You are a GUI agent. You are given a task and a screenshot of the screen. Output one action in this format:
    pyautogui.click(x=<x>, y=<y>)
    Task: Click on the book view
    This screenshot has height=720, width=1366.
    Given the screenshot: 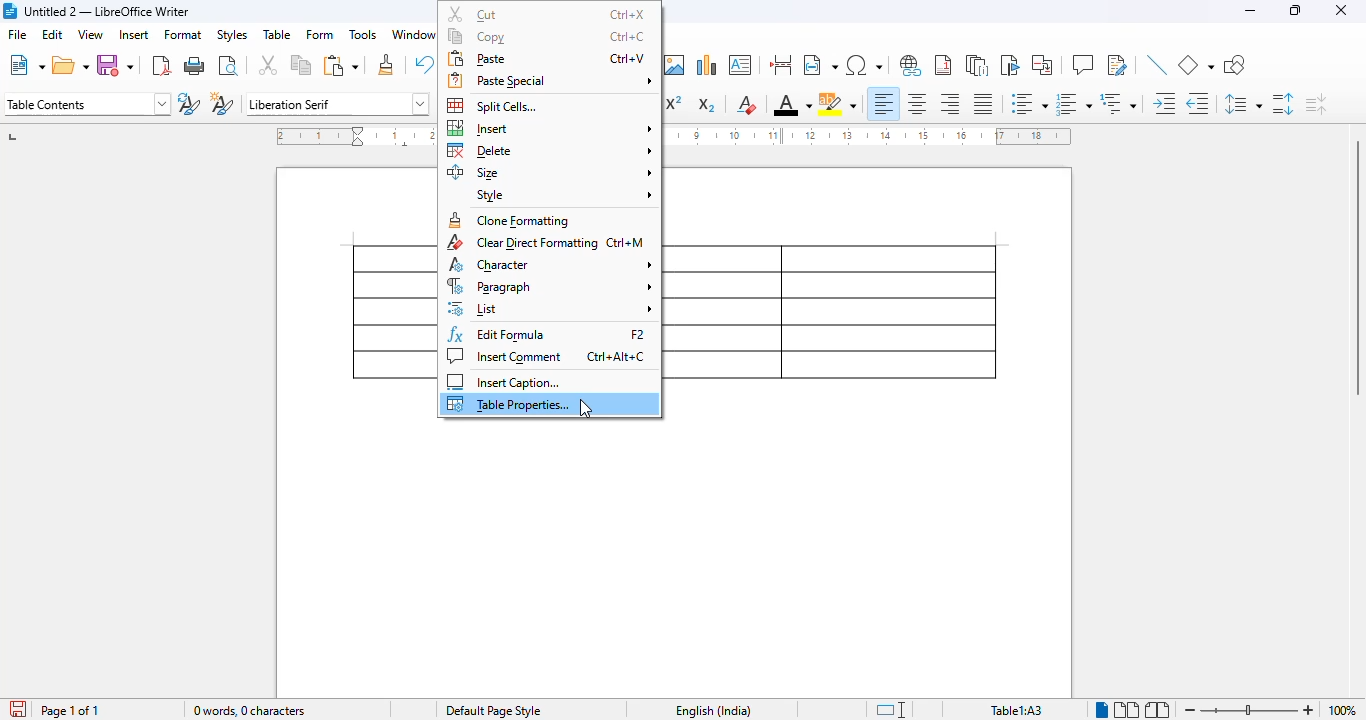 What is the action you would take?
    pyautogui.click(x=1158, y=710)
    